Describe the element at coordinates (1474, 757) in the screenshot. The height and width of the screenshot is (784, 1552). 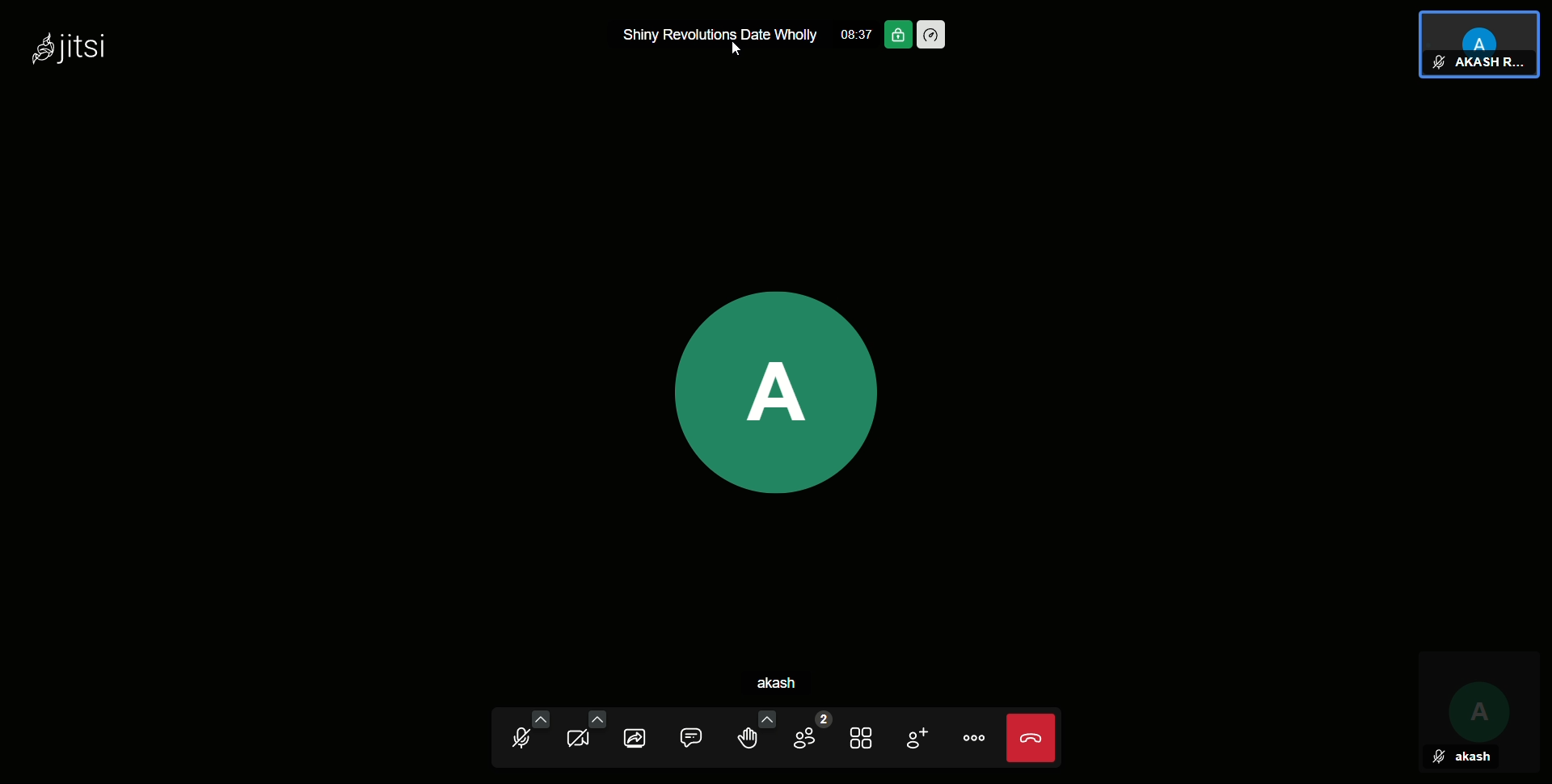
I see `name` at that location.